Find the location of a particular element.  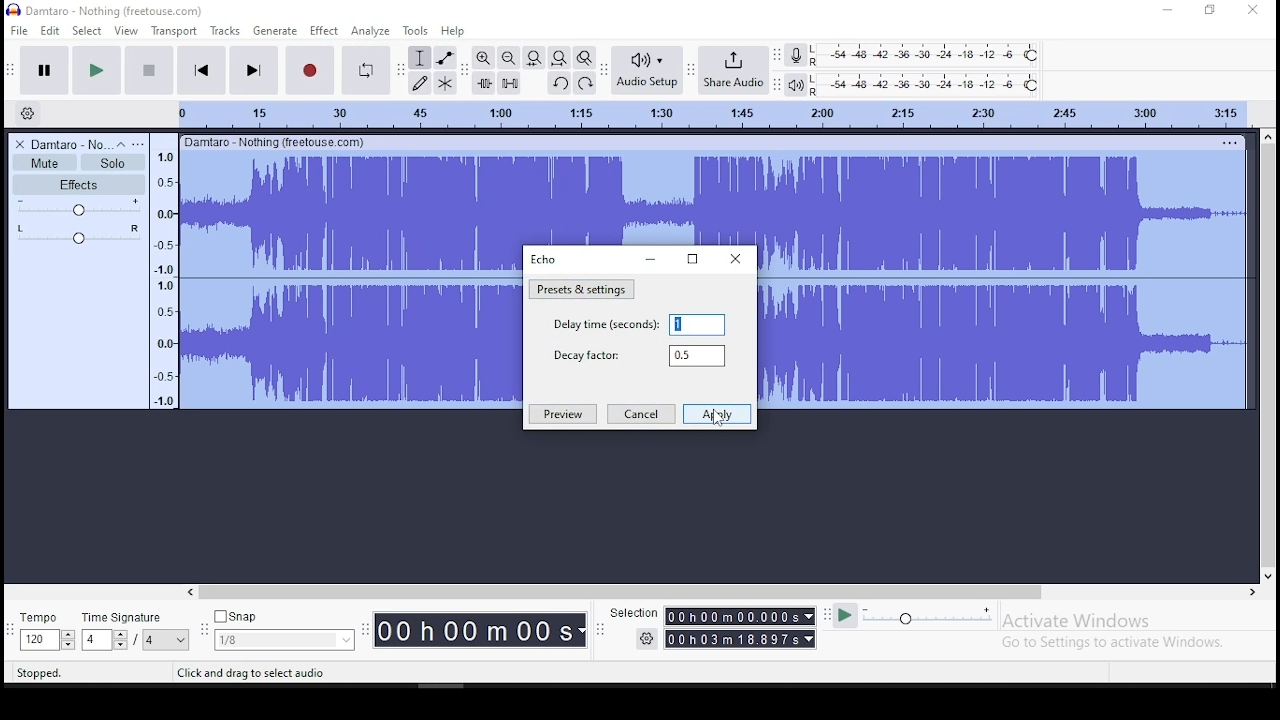

‘Selection is located at coordinates (632, 614).